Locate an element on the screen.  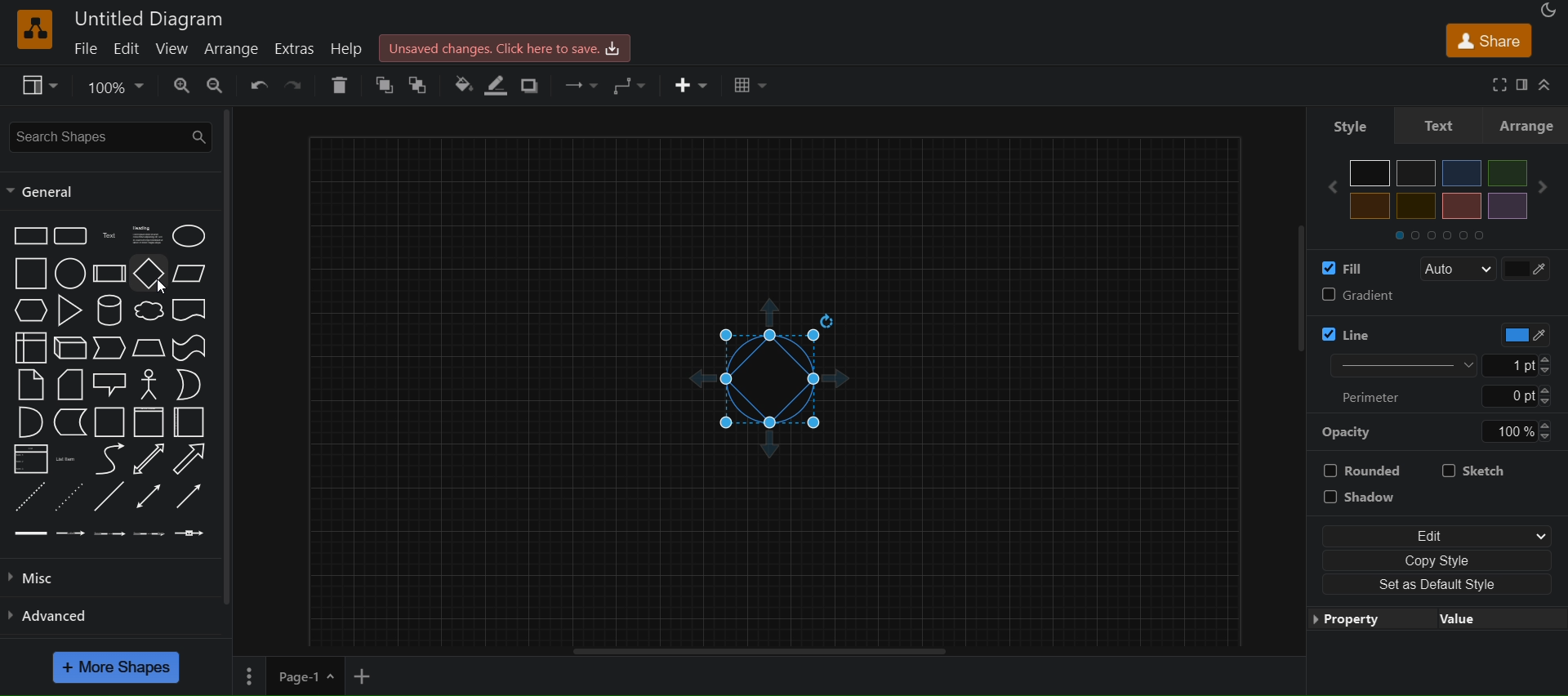
document is located at coordinates (192, 313).